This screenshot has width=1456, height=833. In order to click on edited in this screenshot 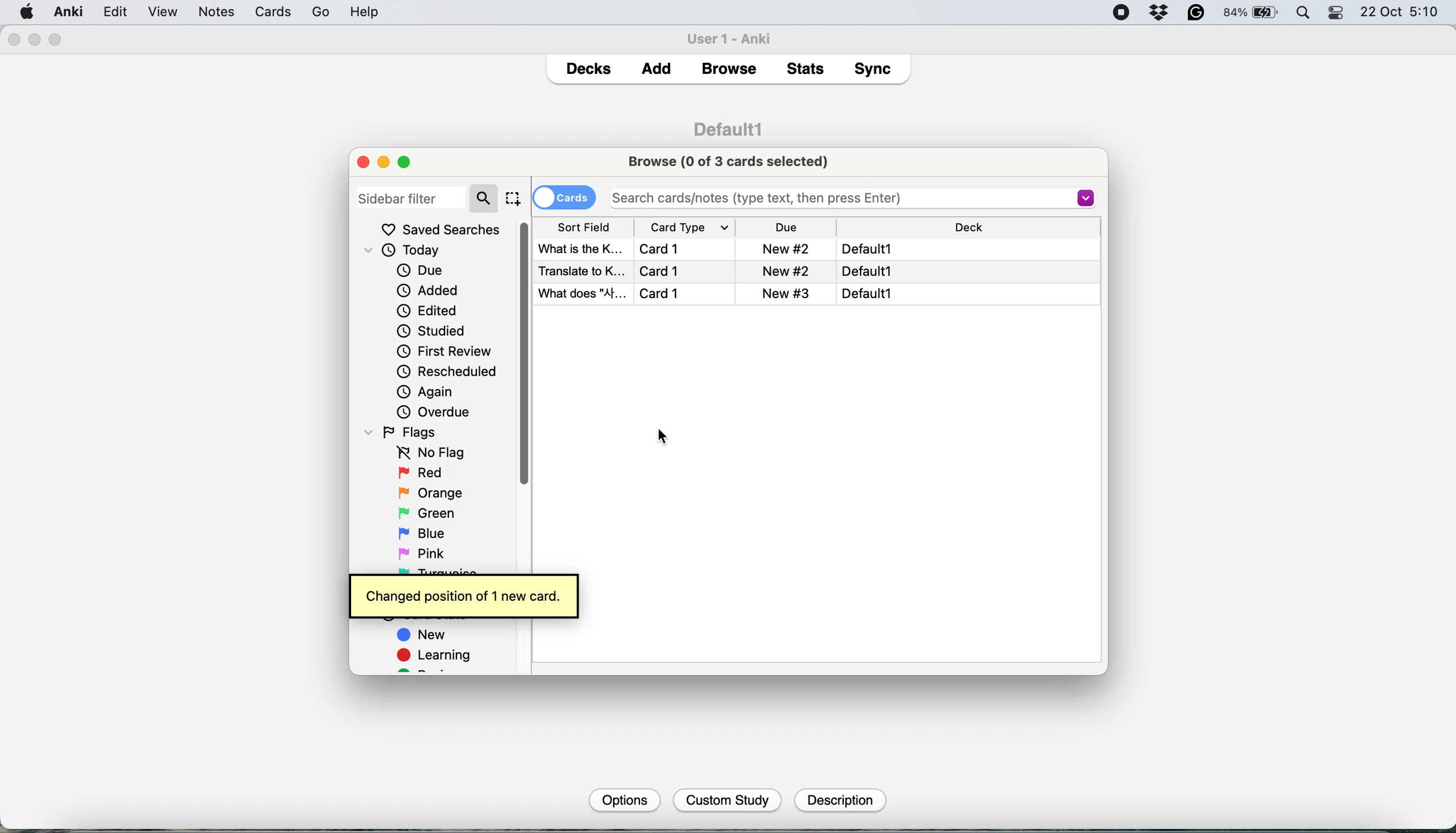, I will do `click(428, 311)`.